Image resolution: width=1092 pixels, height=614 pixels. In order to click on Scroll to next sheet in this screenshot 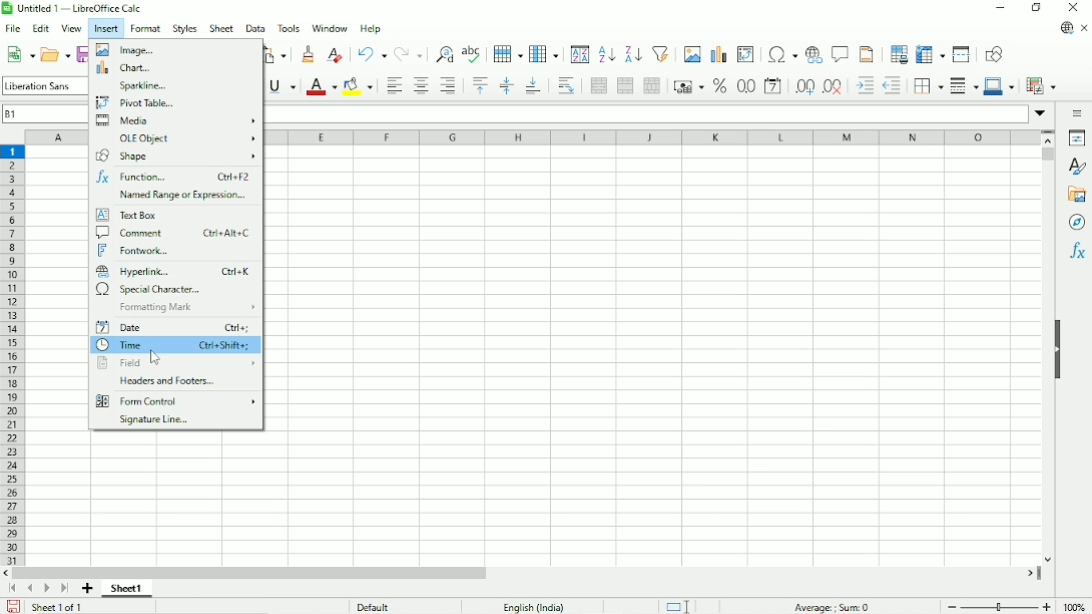, I will do `click(46, 589)`.